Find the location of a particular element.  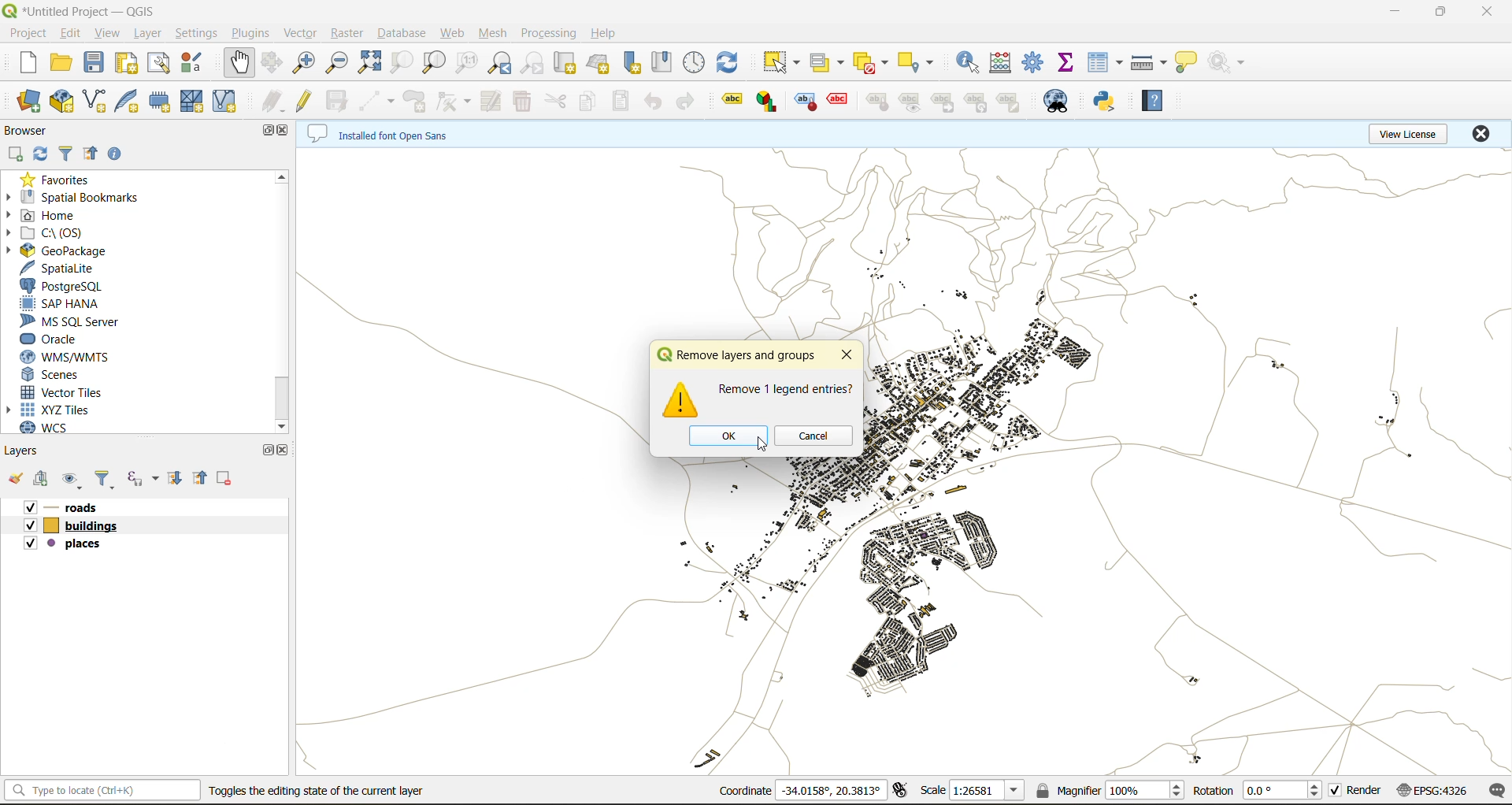

new shapefile is located at coordinates (95, 100).